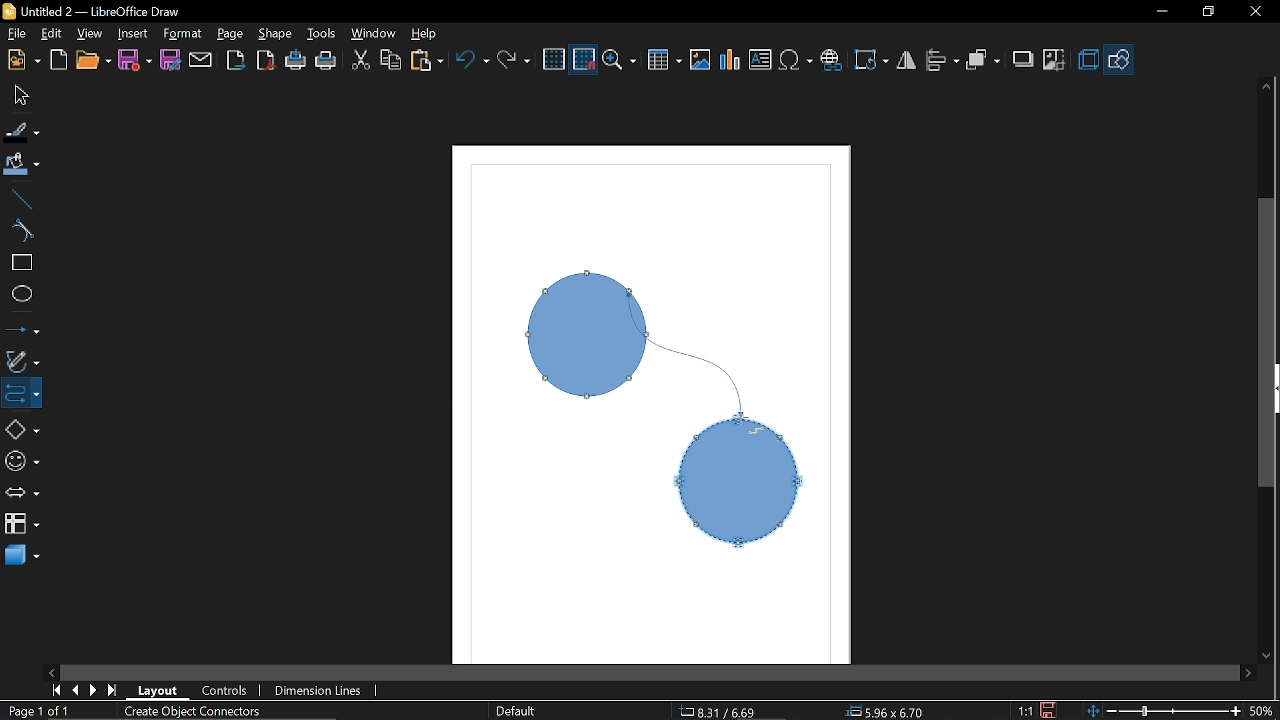 This screenshot has width=1280, height=720. What do you see at coordinates (872, 58) in the screenshot?
I see `Rotate` at bounding box center [872, 58].